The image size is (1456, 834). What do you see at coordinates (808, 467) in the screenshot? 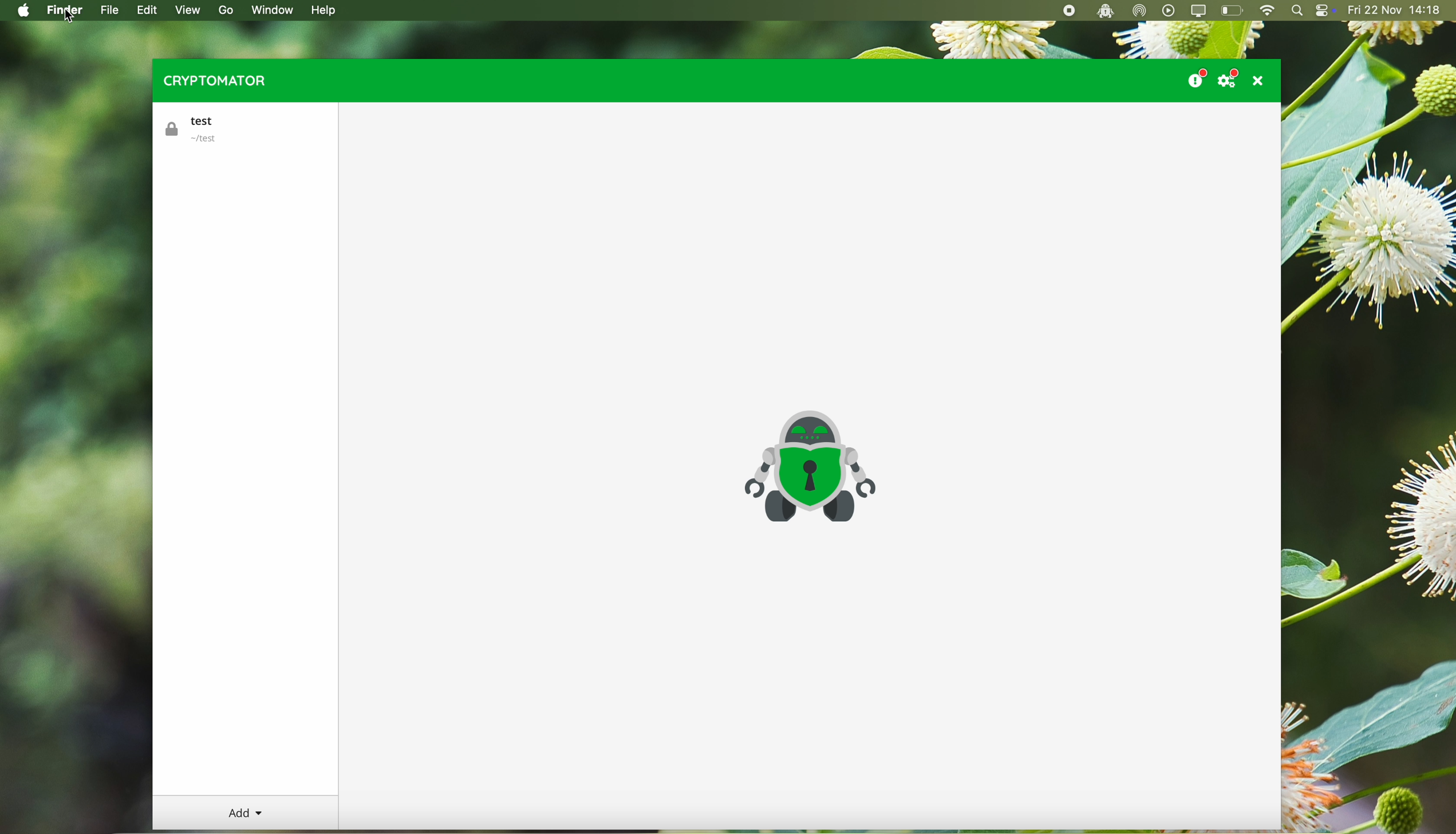
I see `cryptomator icon` at bounding box center [808, 467].